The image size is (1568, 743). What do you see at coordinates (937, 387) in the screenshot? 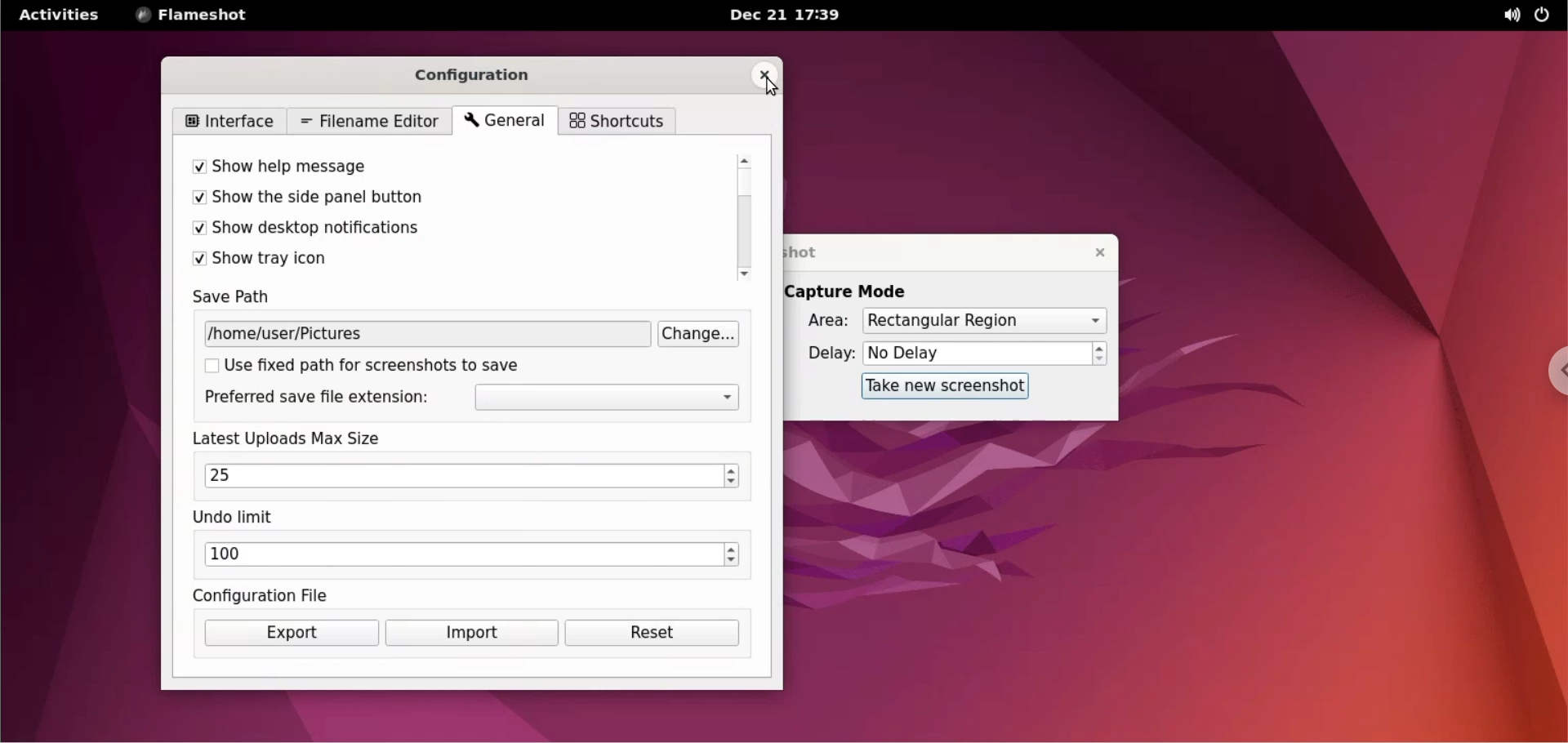
I see `take new screenshot` at bounding box center [937, 387].